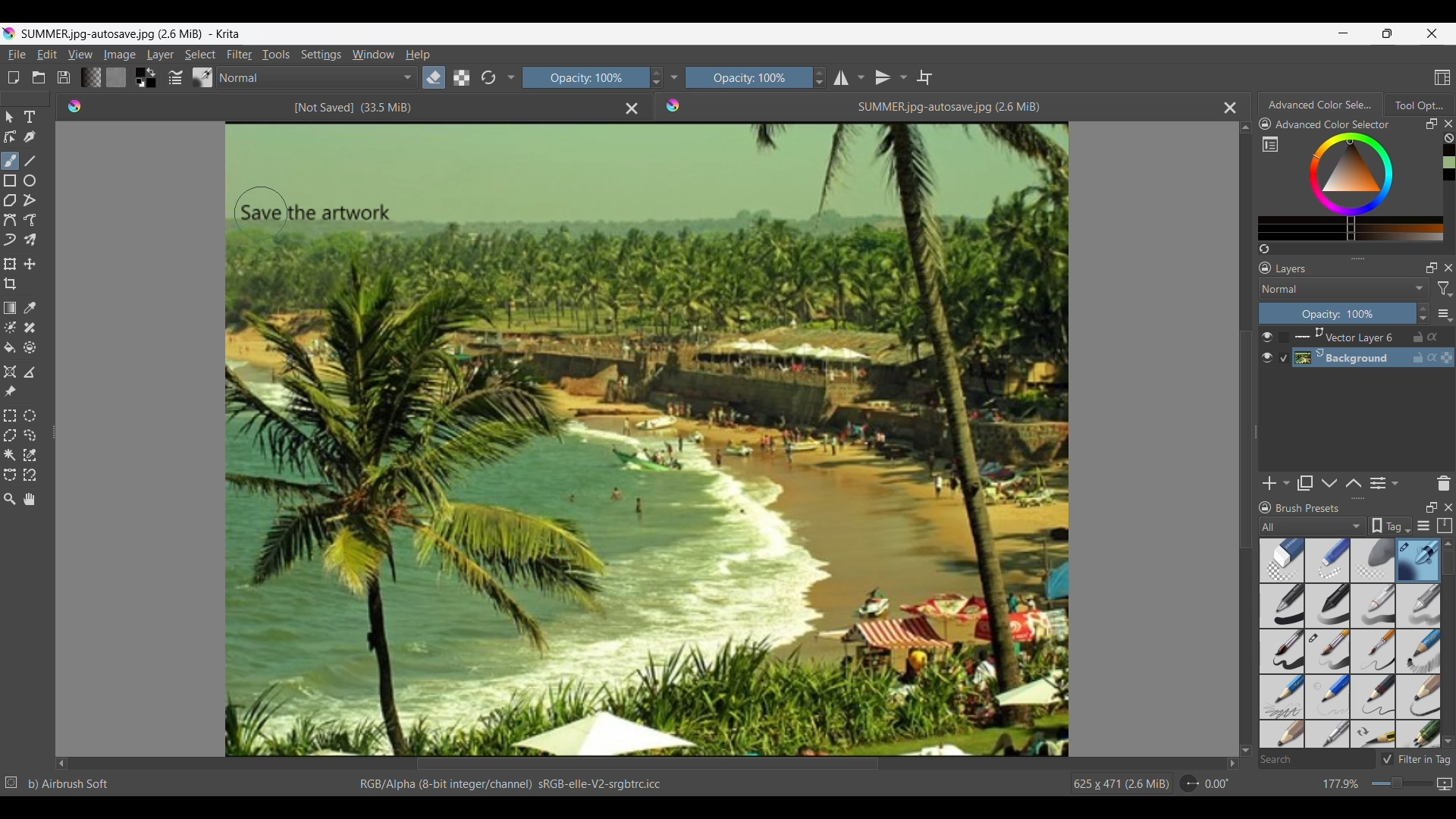  Describe the element at coordinates (1402, 783) in the screenshot. I see `Slider to change zoom factor` at that location.